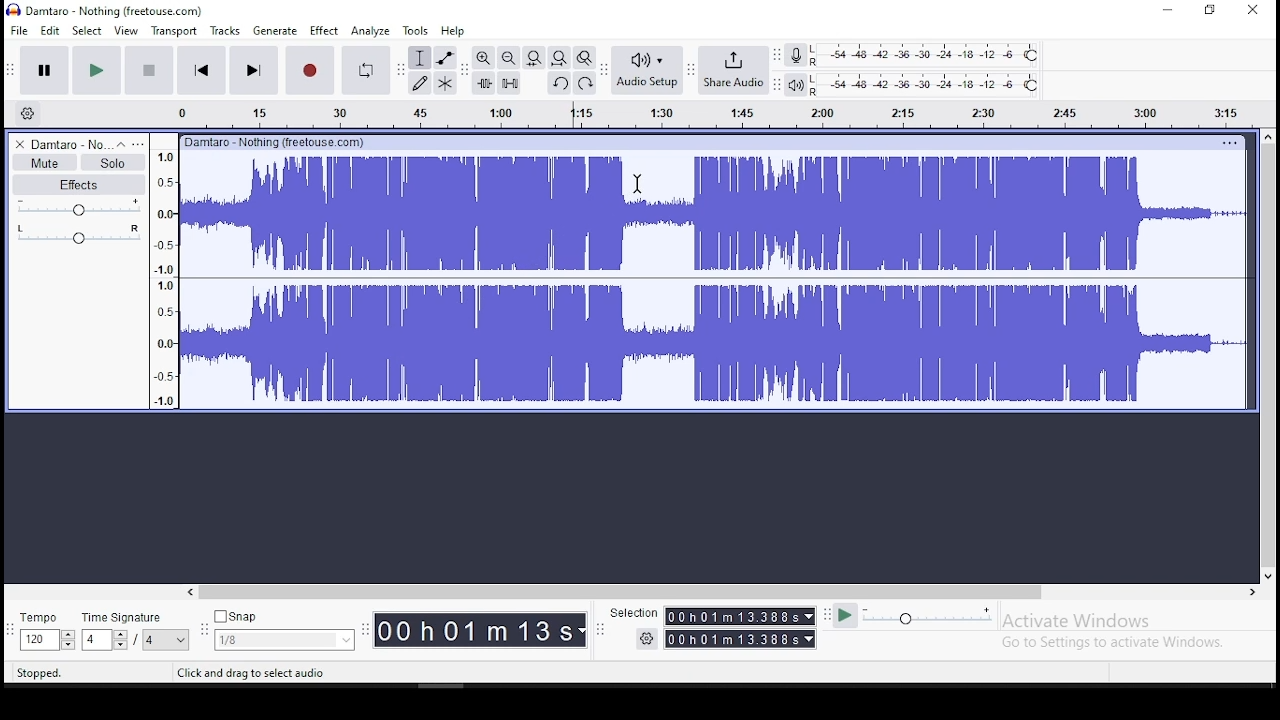 This screenshot has width=1280, height=720. What do you see at coordinates (1267, 574) in the screenshot?
I see `scroll down` at bounding box center [1267, 574].